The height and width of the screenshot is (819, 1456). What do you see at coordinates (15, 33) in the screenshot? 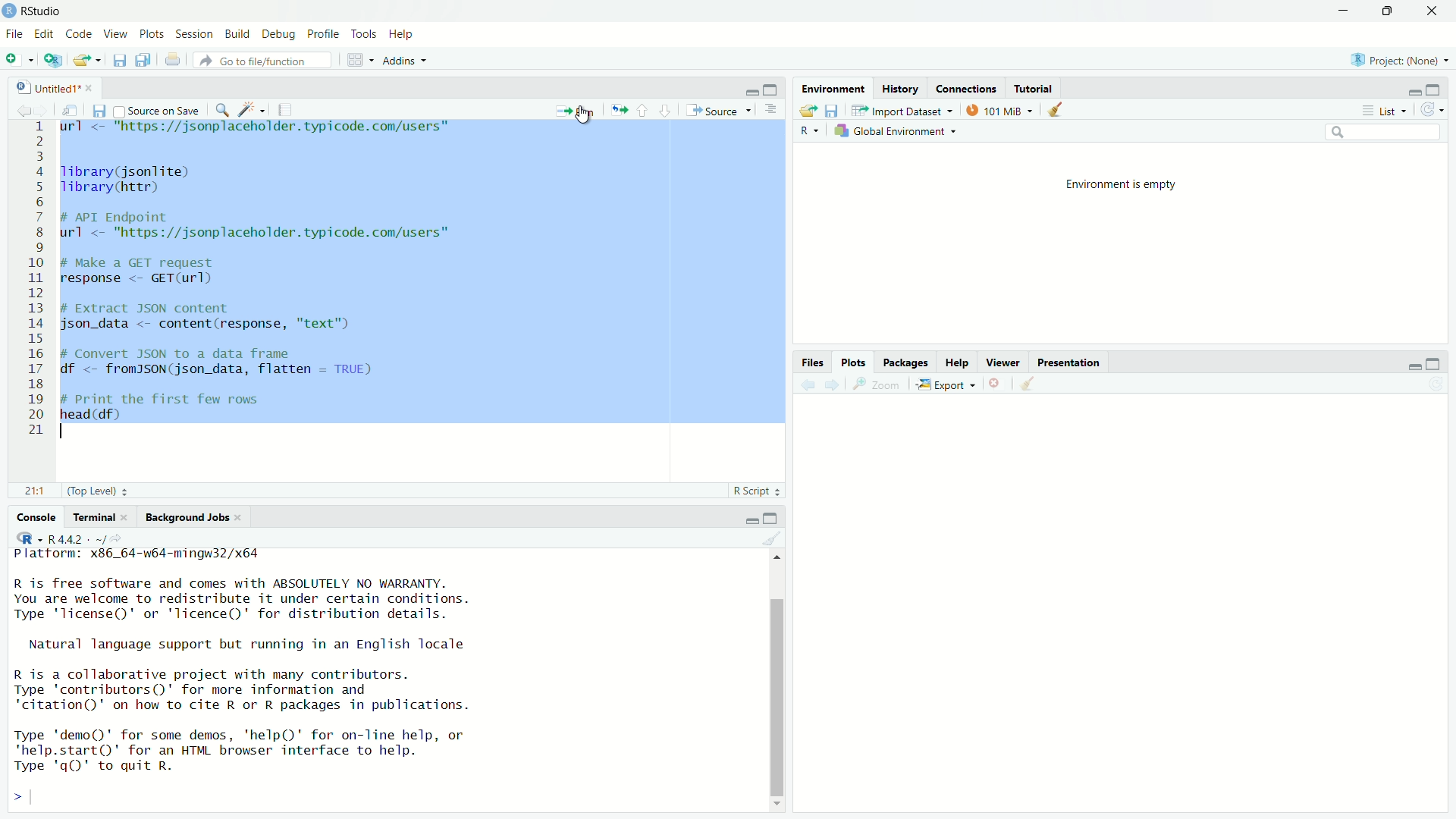
I see `File` at bounding box center [15, 33].